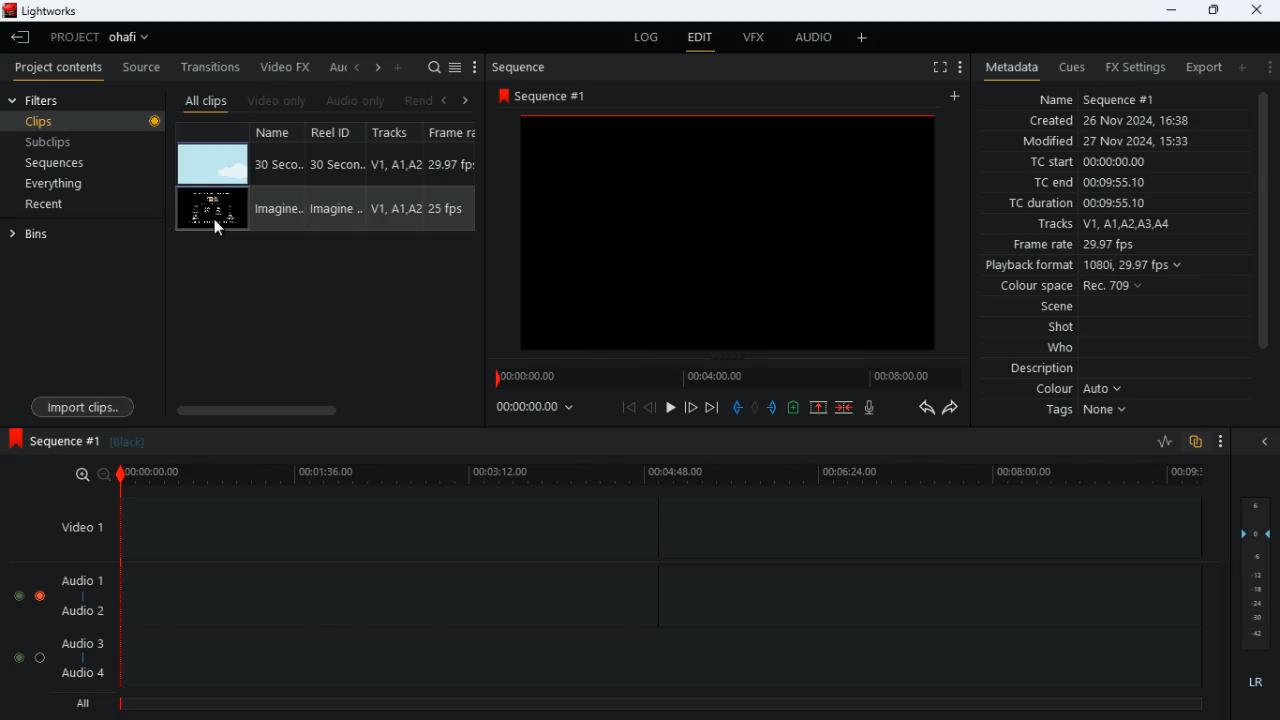  Describe the element at coordinates (874, 410) in the screenshot. I see `mic` at that location.